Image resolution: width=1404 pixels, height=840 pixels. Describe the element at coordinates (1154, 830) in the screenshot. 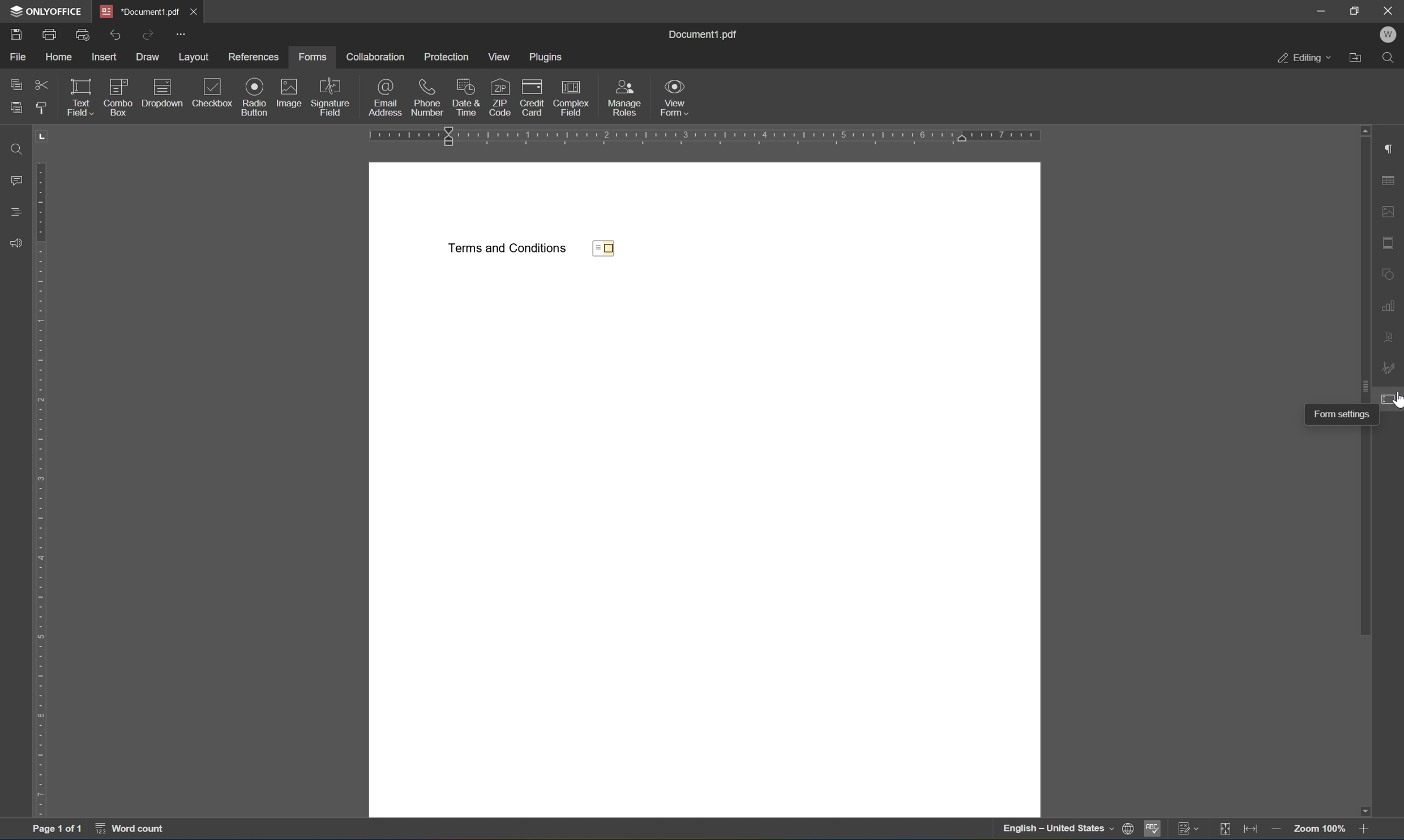

I see `spell checking` at that location.